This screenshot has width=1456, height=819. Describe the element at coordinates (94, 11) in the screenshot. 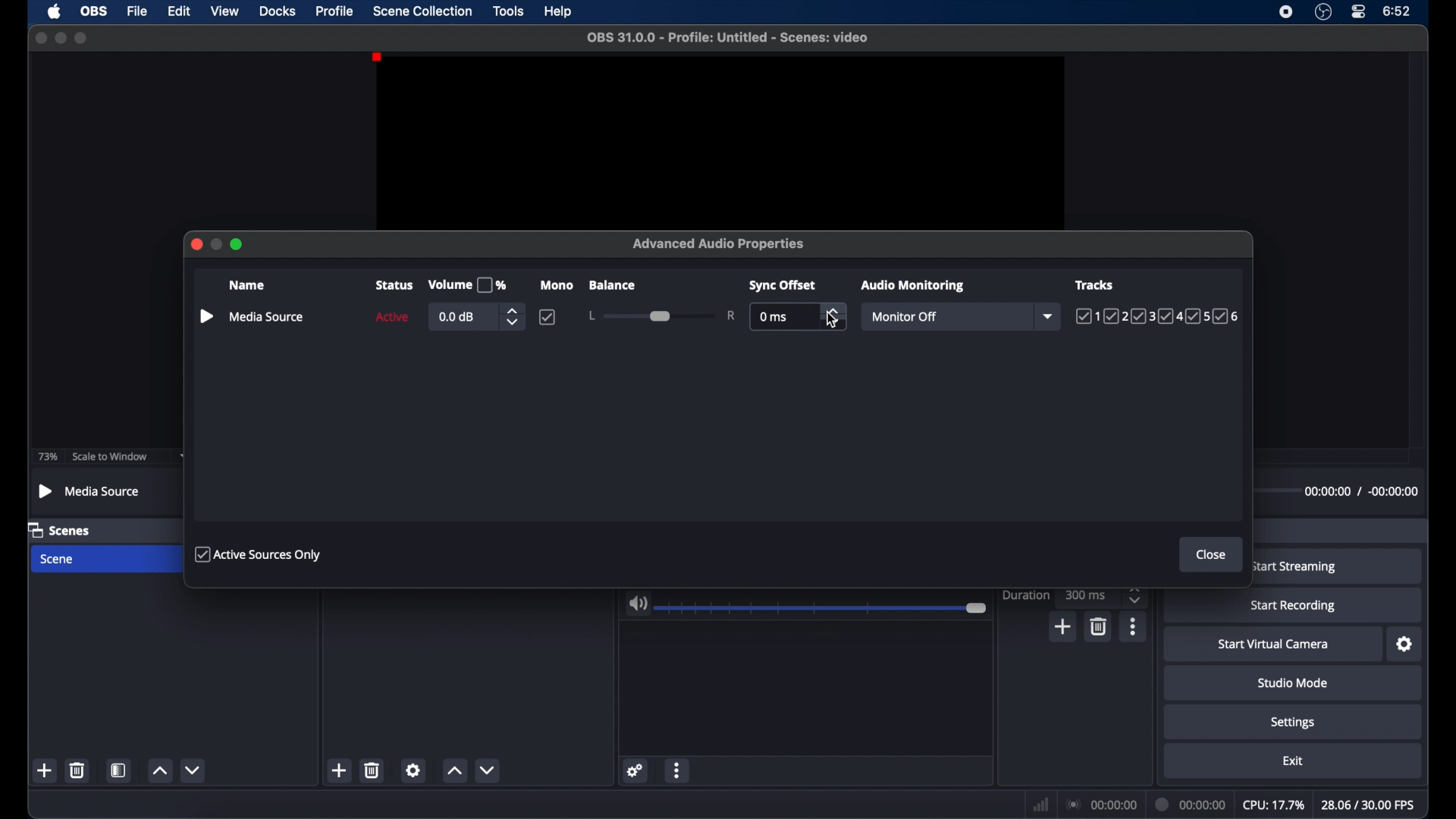

I see `obs` at that location.